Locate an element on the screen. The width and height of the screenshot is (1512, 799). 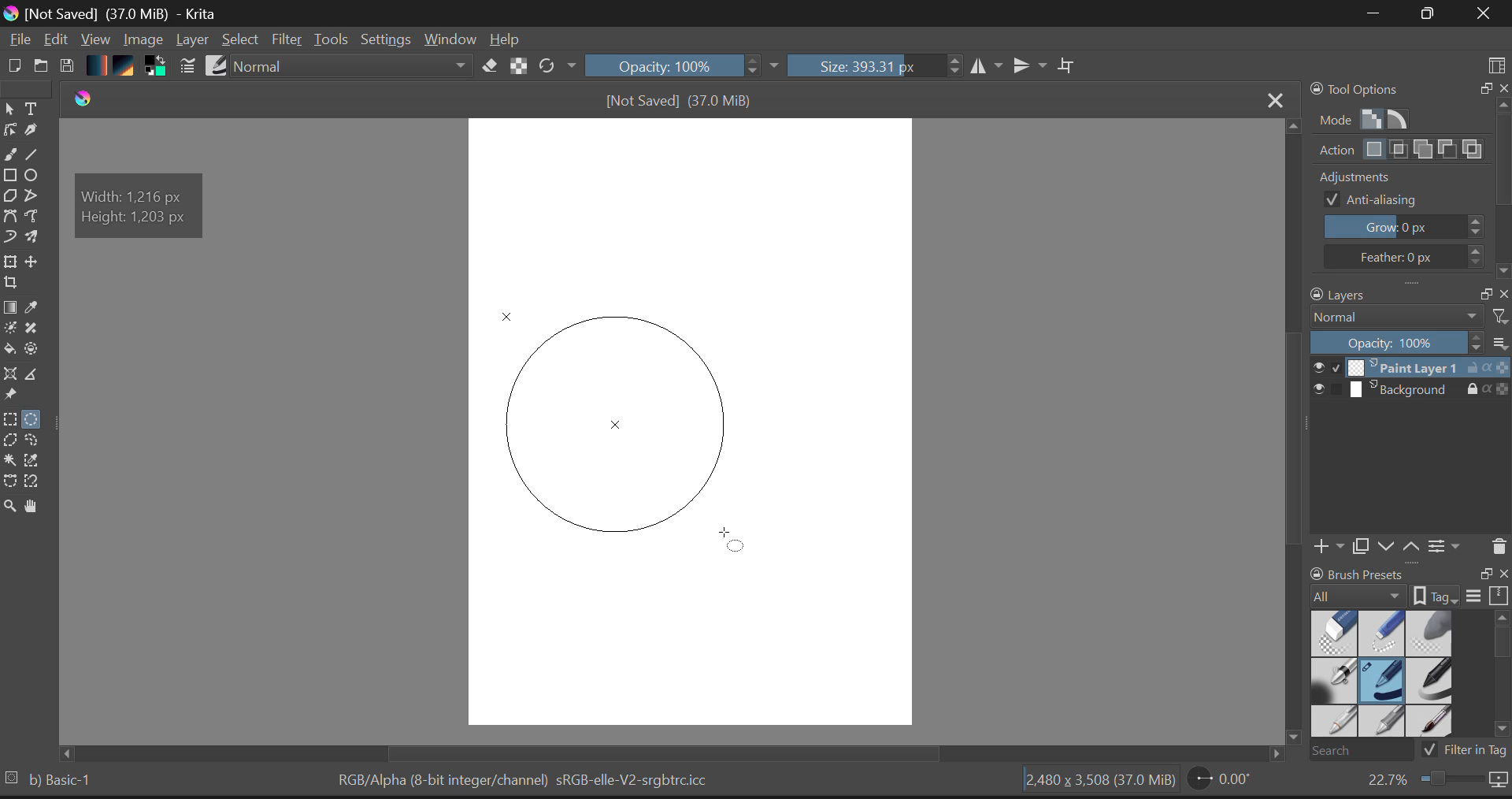
Settings is located at coordinates (387, 40).